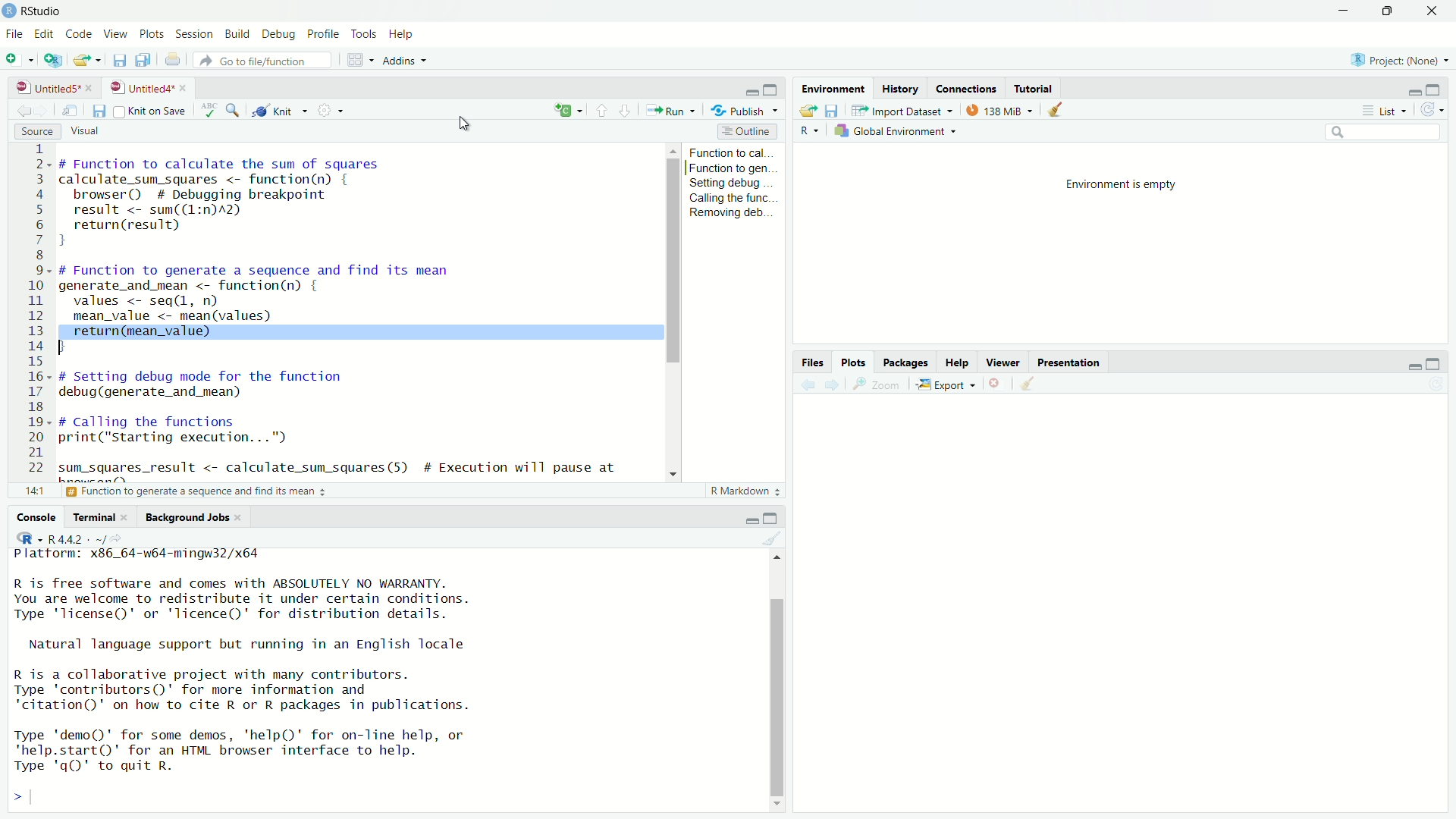 This screenshot has width=1456, height=819. Describe the element at coordinates (34, 311) in the screenshot. I see `serial numbers` at that location.